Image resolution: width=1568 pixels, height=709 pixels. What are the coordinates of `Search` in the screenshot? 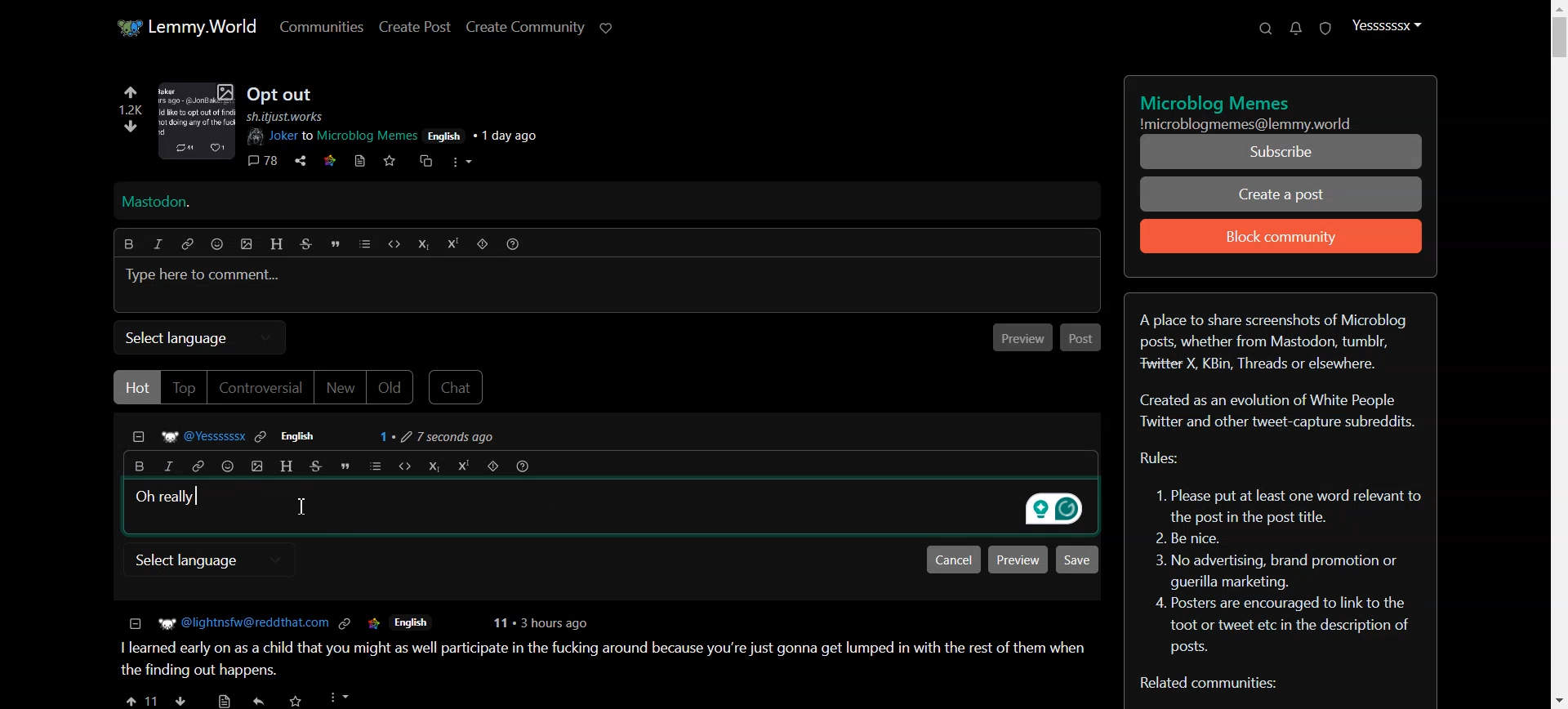 It's located at (1267, 28).